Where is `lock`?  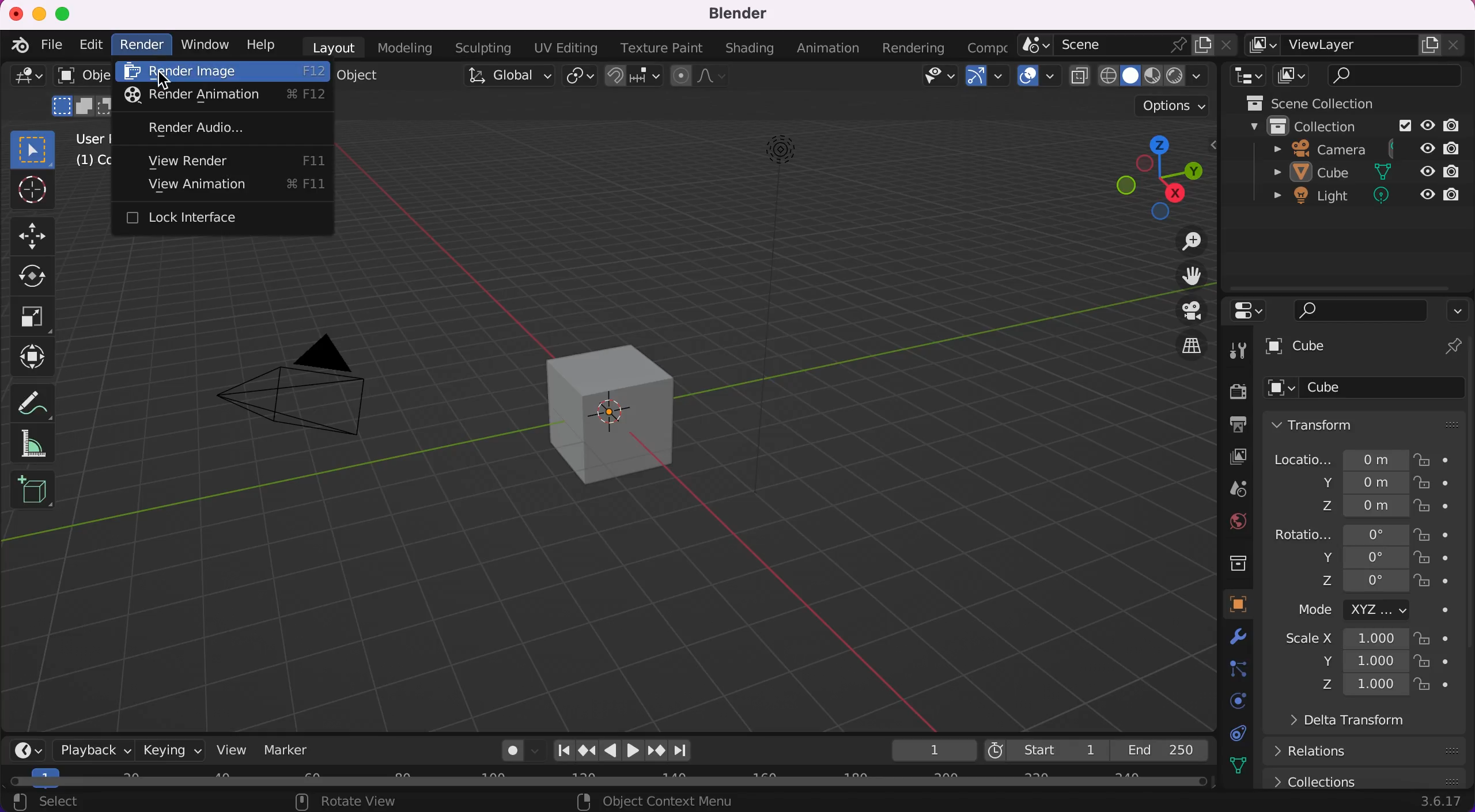 lock is located at coordinates (1436, 663).